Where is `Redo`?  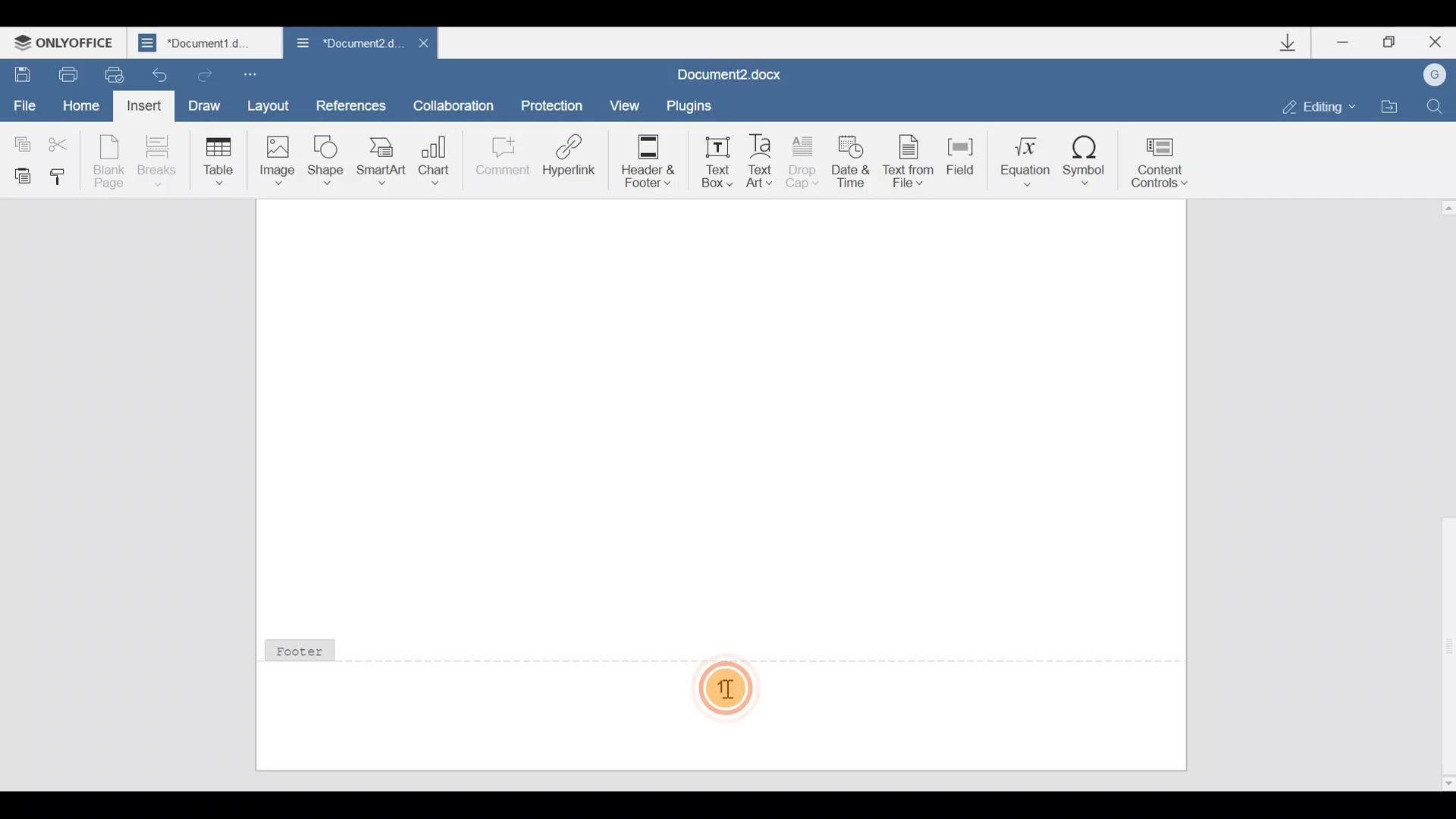
Redo is located at coordinates (206, 77).